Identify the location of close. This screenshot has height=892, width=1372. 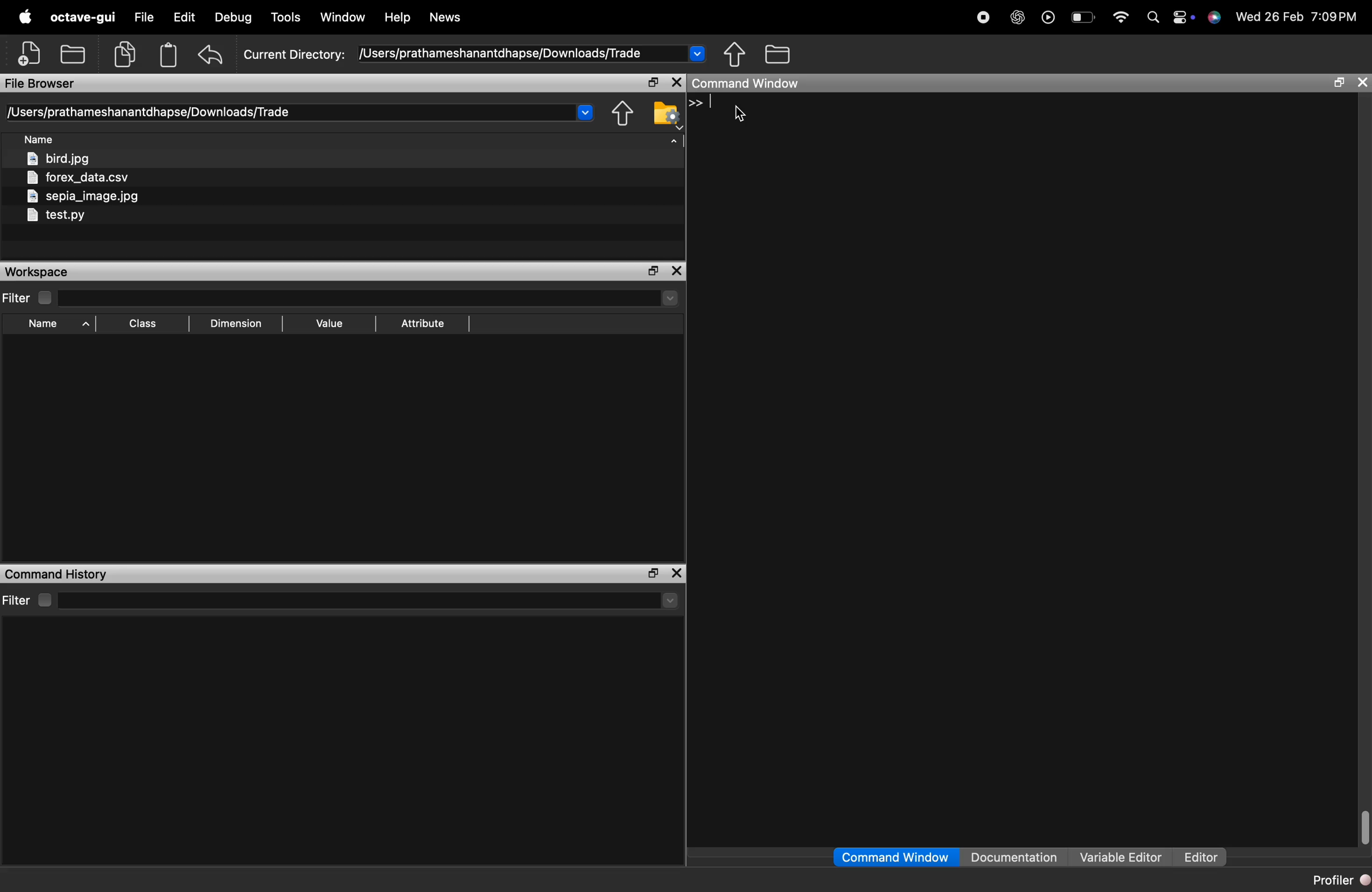
(677, 82).